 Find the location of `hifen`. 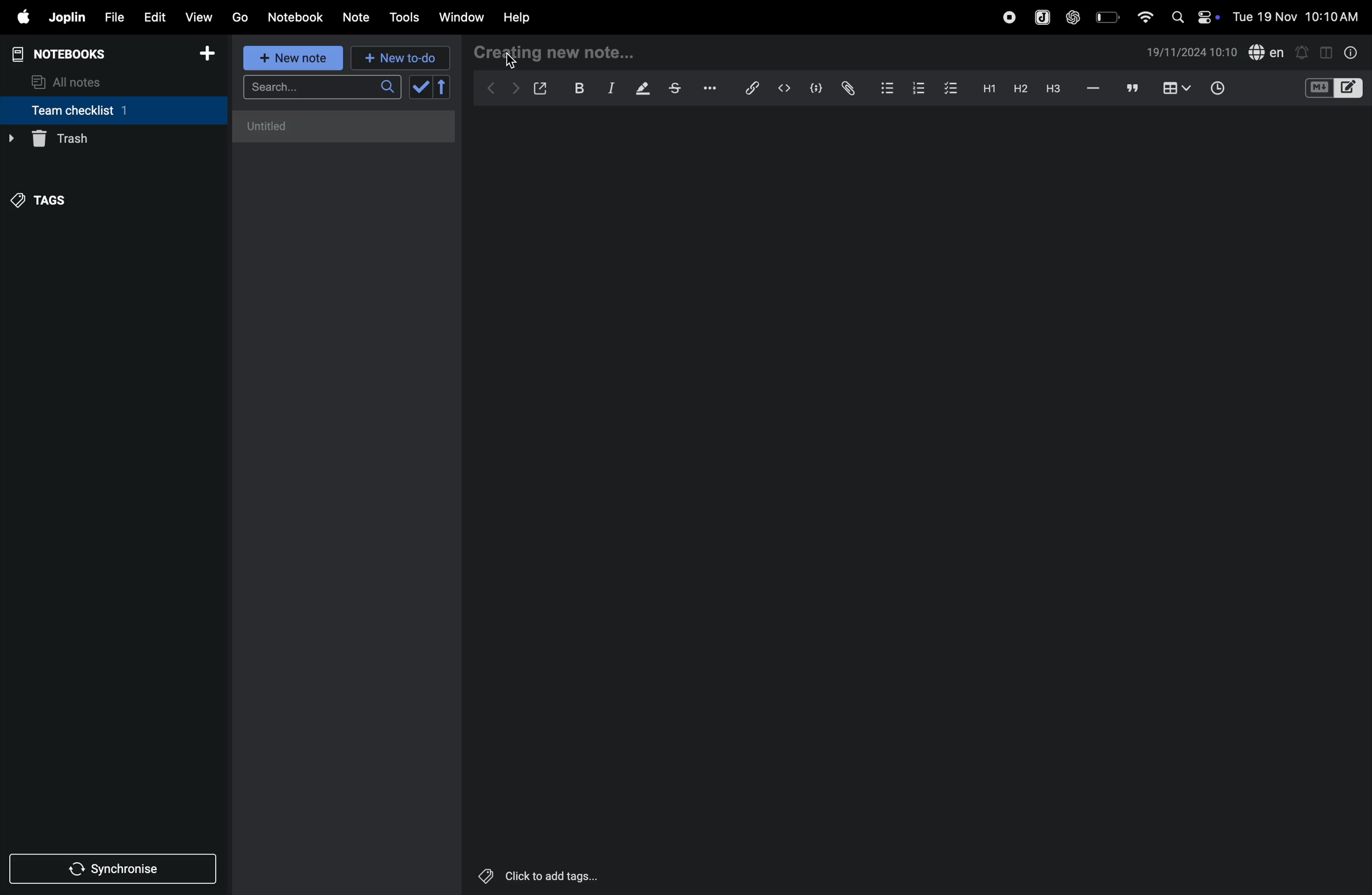

hifen is located at coordinates (1092, 88).